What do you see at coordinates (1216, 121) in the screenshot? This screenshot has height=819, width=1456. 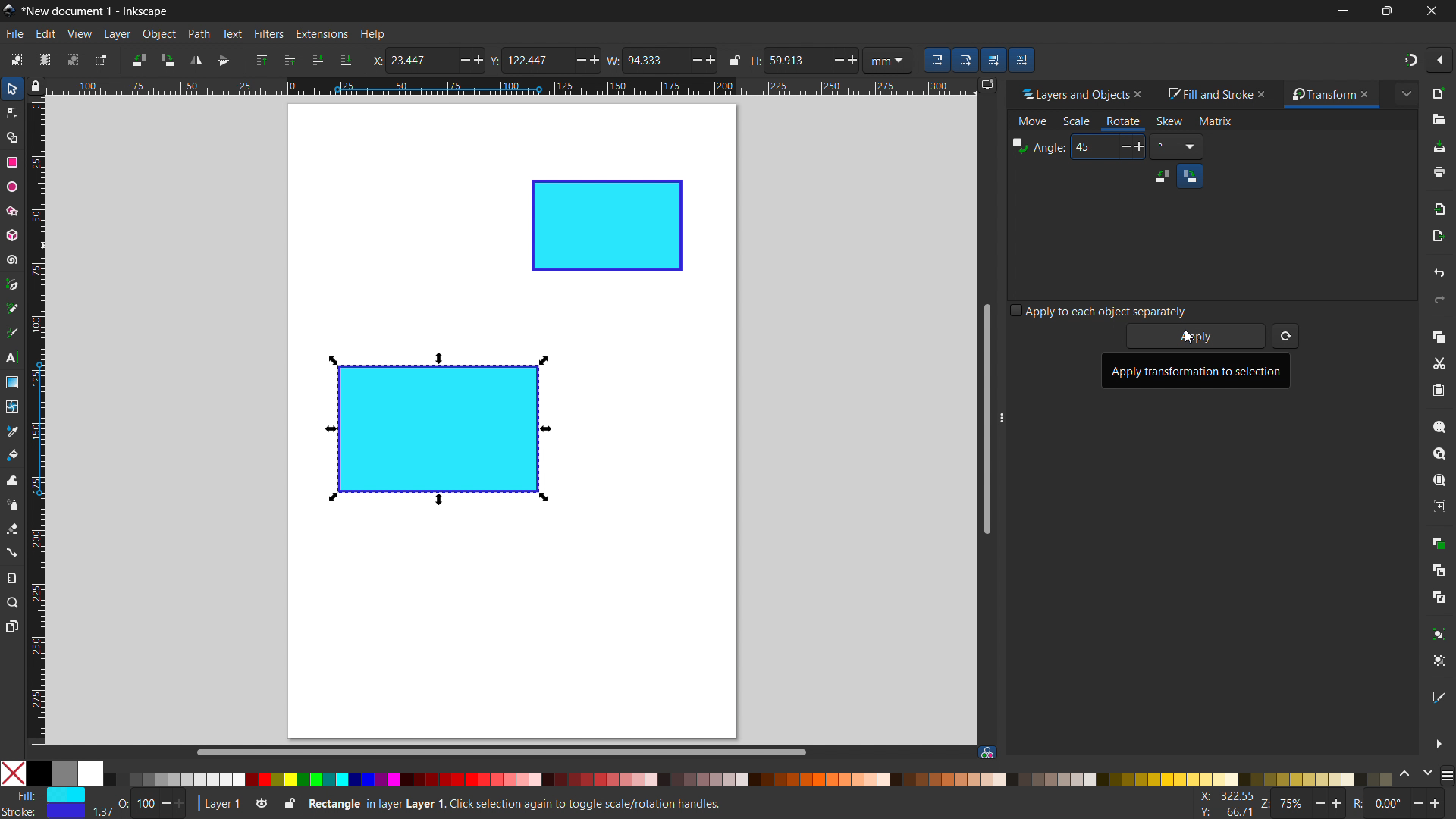 I see `matrix` at bounding box center [1216, 121].